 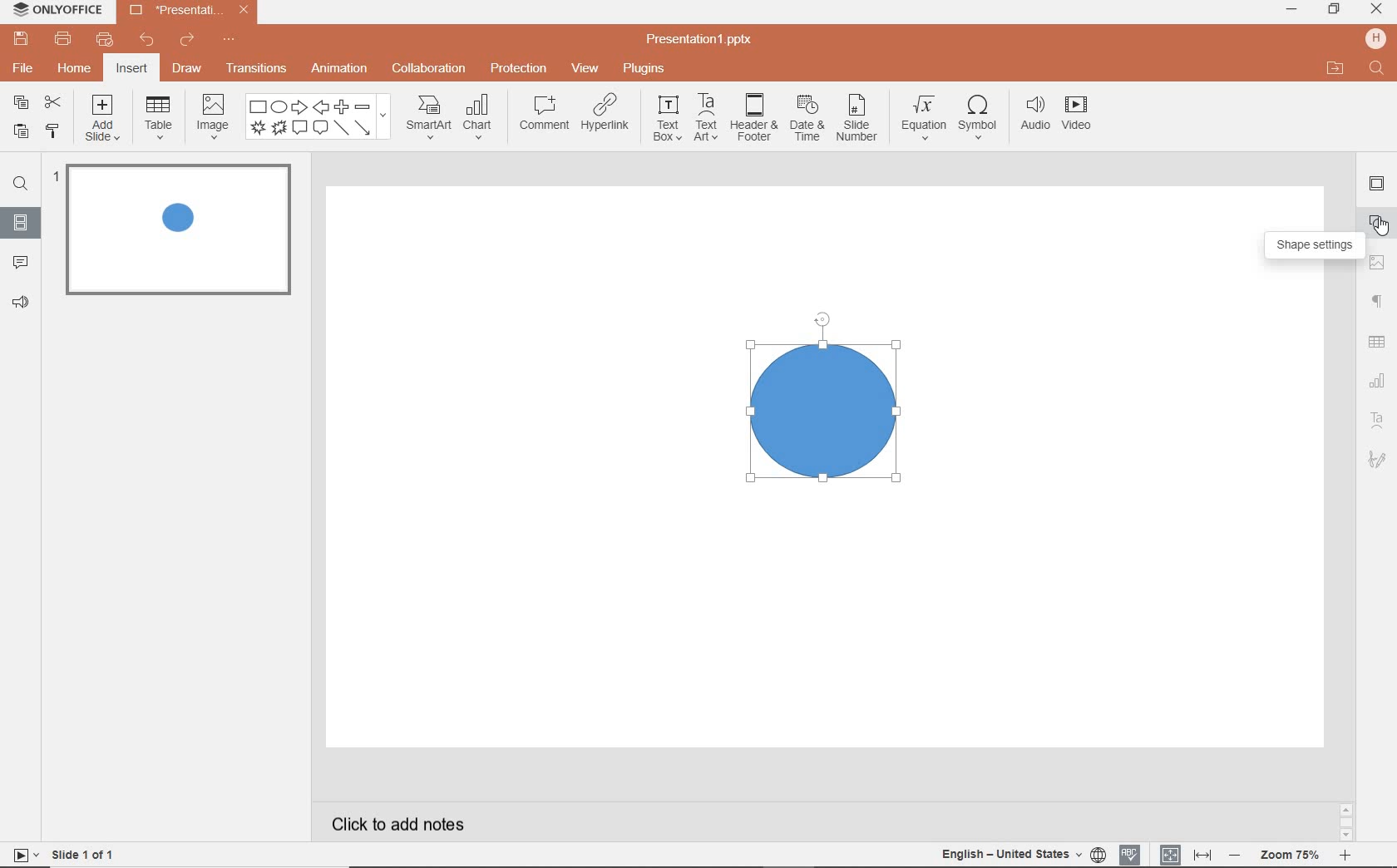 I want to click on draw, so click(x=187, y=72).